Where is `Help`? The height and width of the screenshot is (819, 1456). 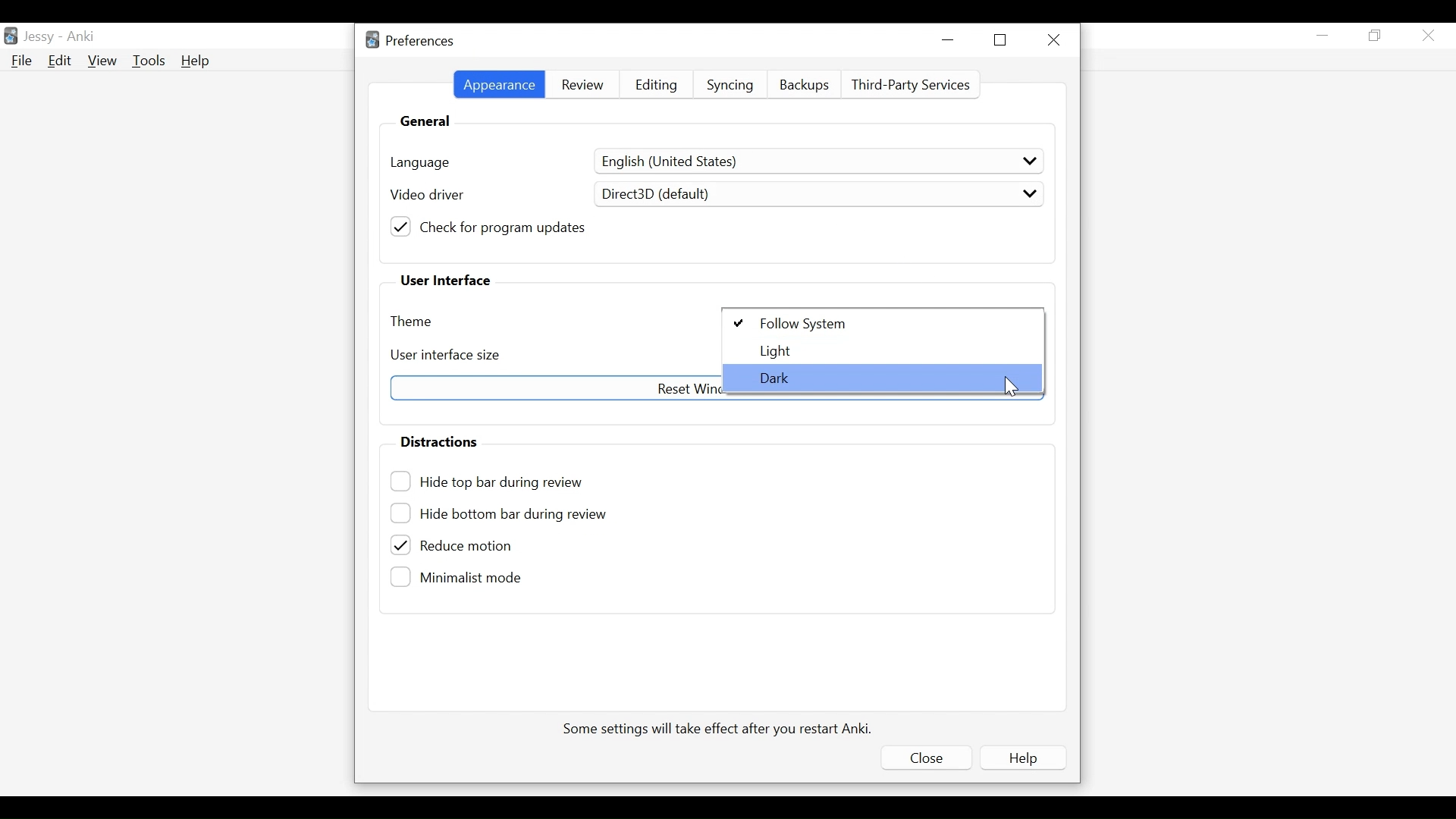 Help is located at coordinates (197, 61).